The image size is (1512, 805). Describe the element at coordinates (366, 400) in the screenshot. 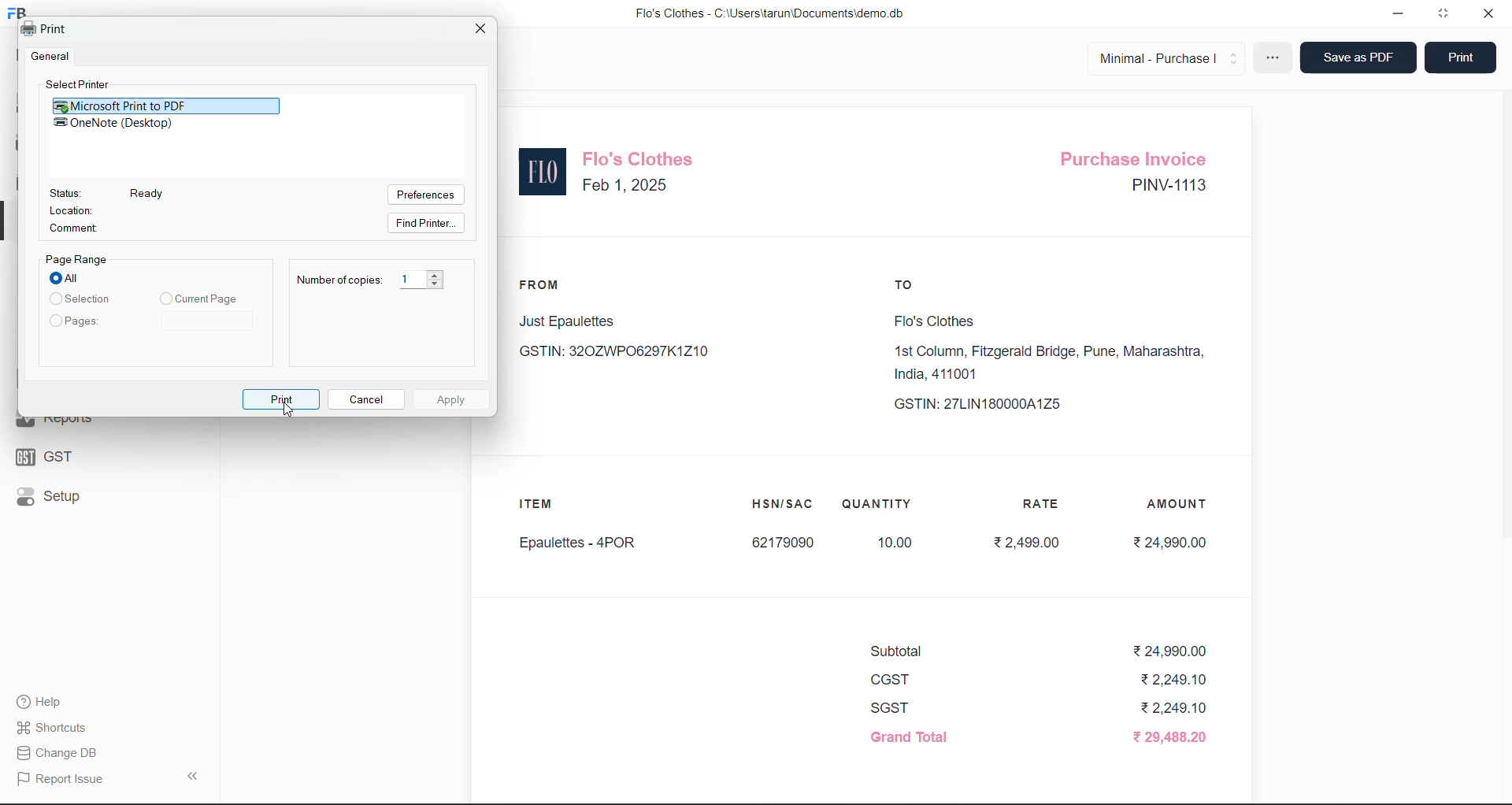

I see `Cancel` at that location.